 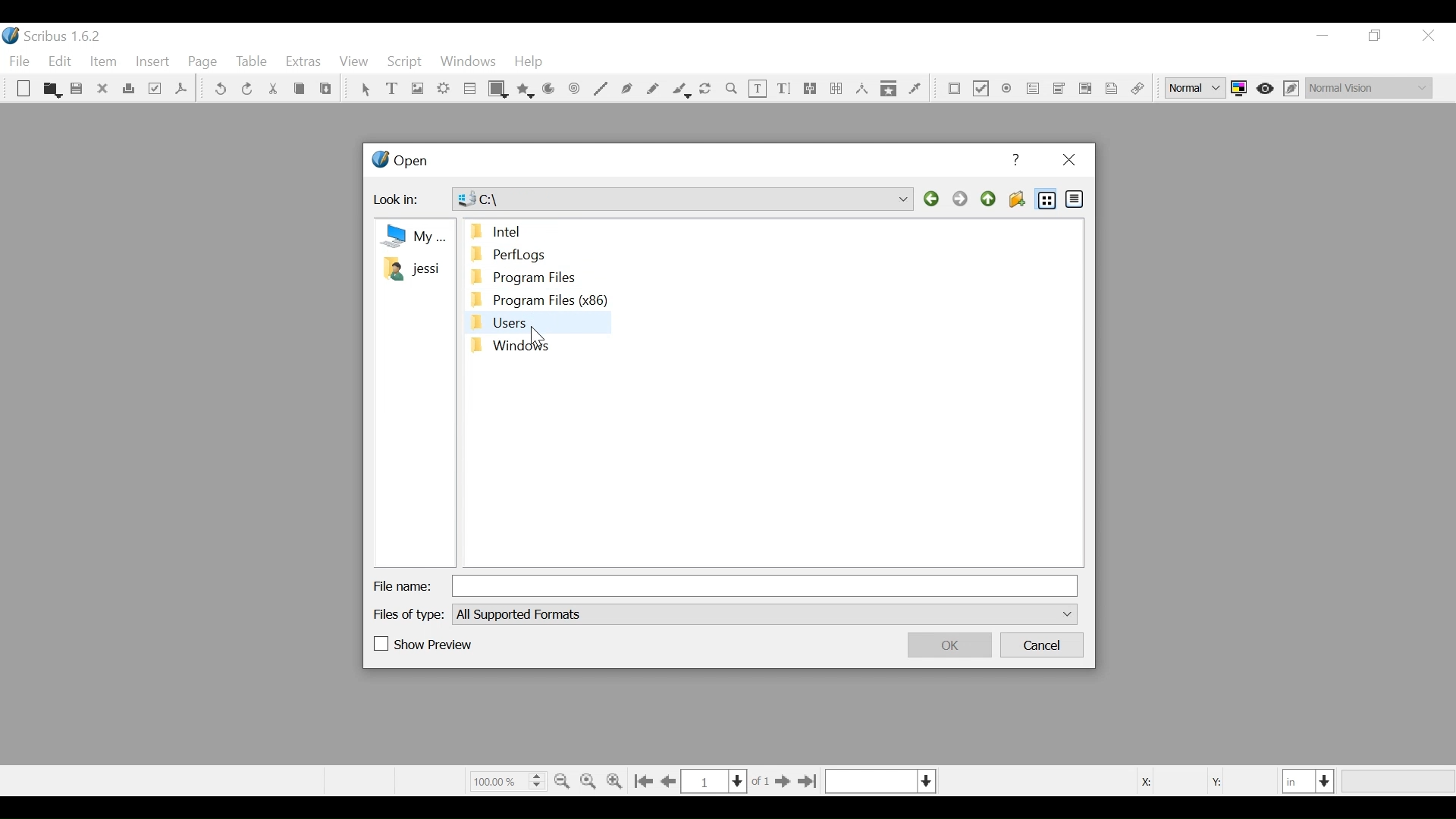 I want to click on Measurements, so click(x=861, y=89).